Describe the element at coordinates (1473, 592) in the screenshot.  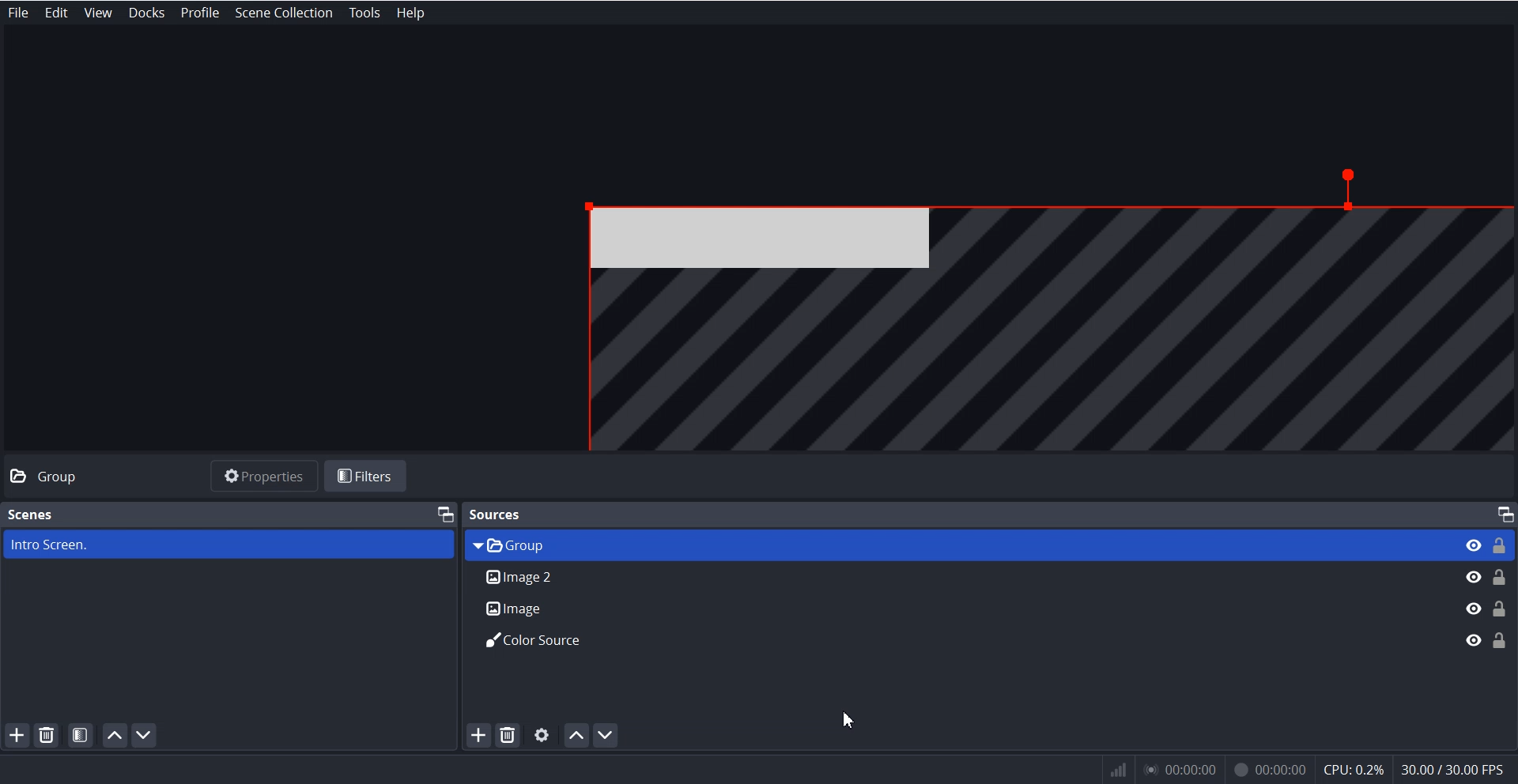
I see `Eye` at that location.